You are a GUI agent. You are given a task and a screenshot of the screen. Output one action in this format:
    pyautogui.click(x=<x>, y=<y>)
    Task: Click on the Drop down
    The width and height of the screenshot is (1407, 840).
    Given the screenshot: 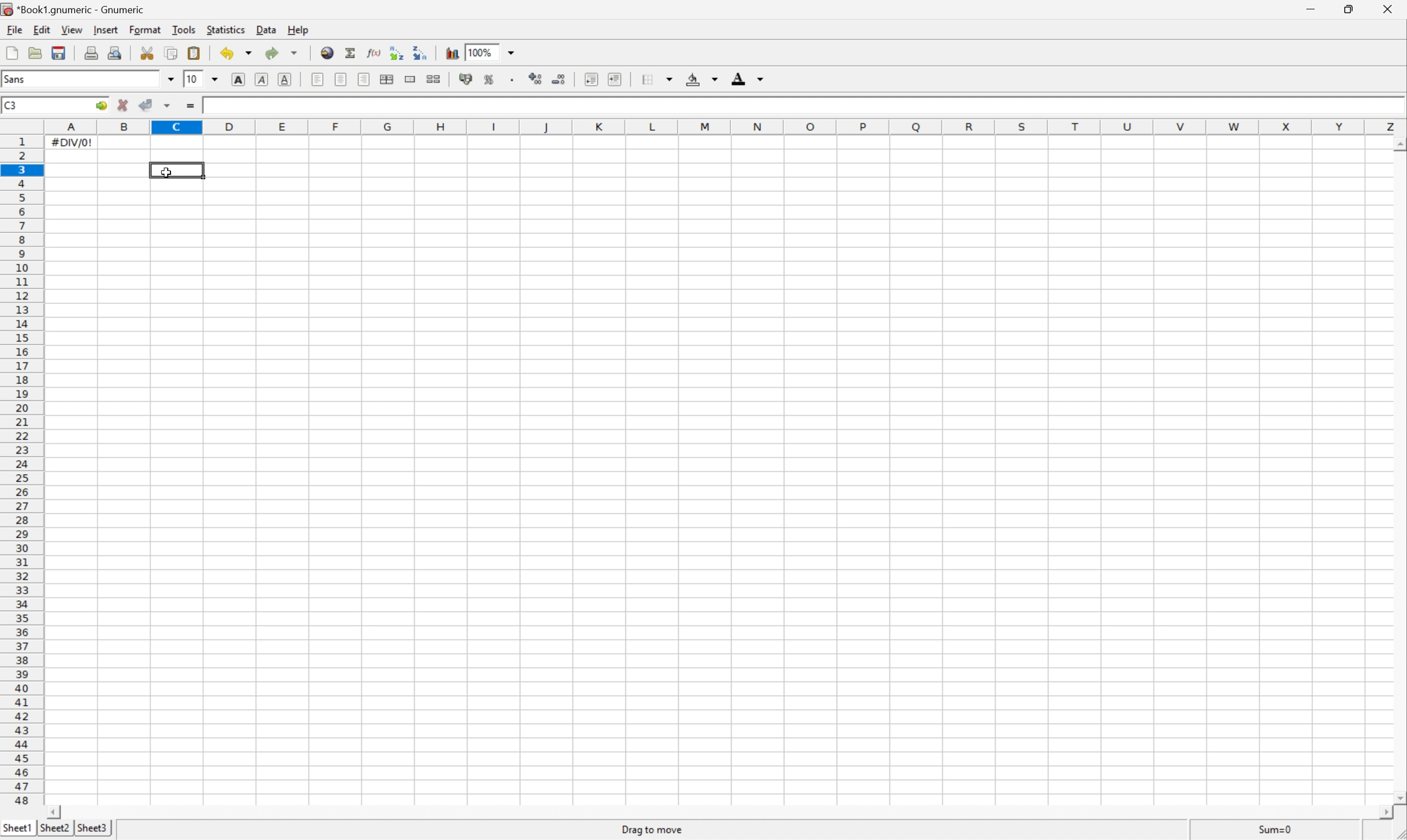 What is the action you would take?
    pyautogui.click(x=513, y=51)
    